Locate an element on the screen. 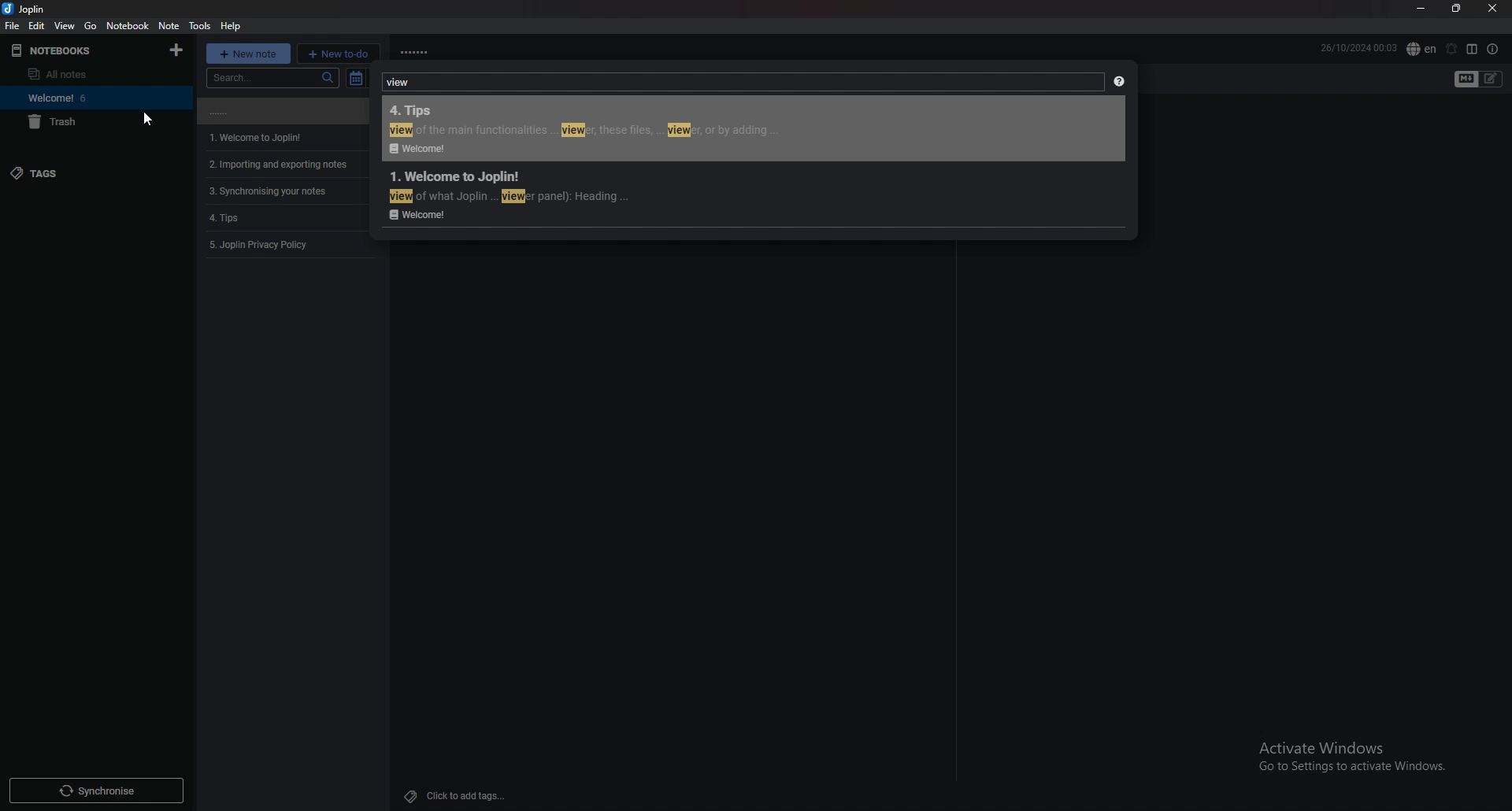 The height and width of the screenshot is (811, 1512). tags is located at coordinates (87, 173).